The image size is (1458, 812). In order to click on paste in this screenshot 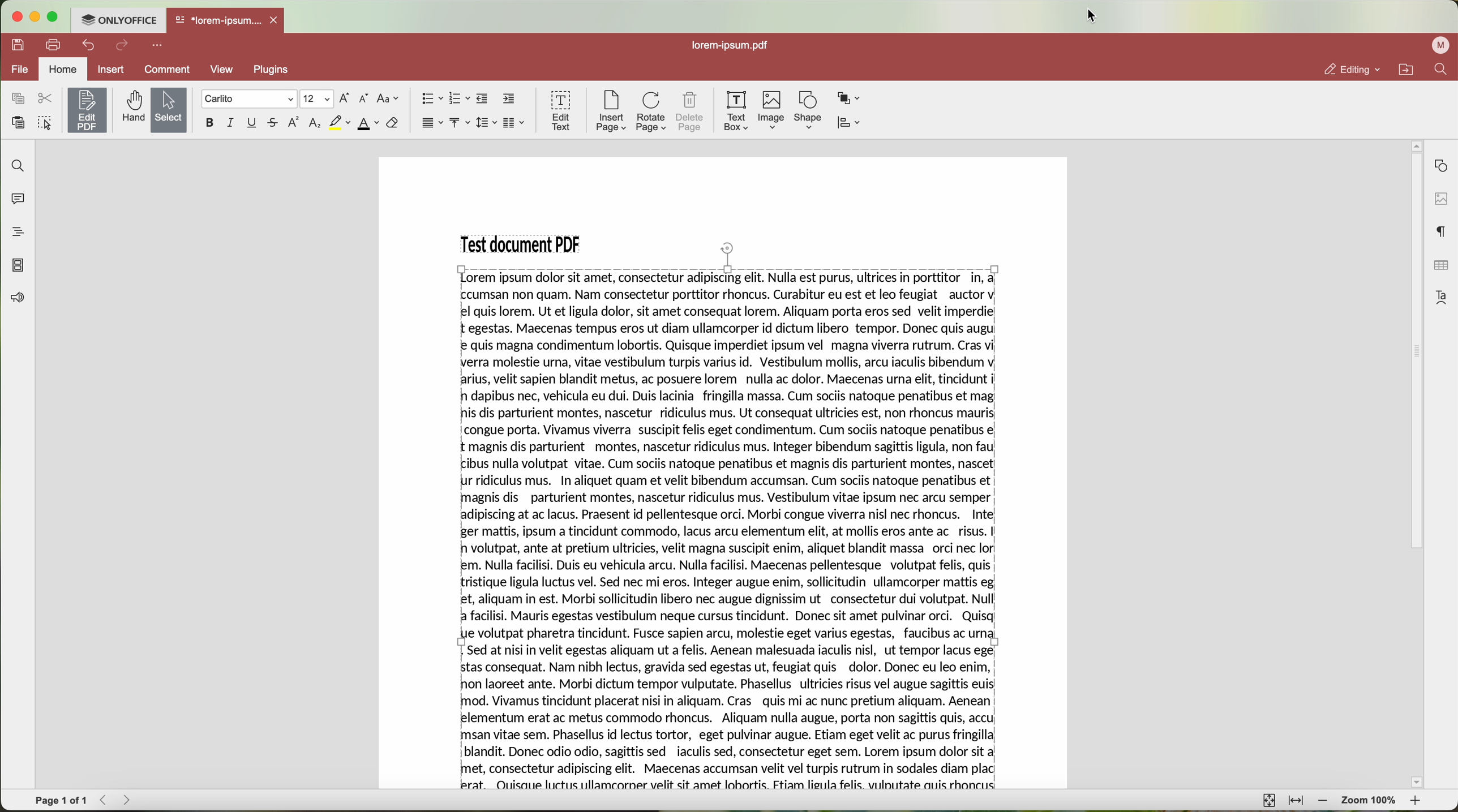, I will do `click(19, 122)`.